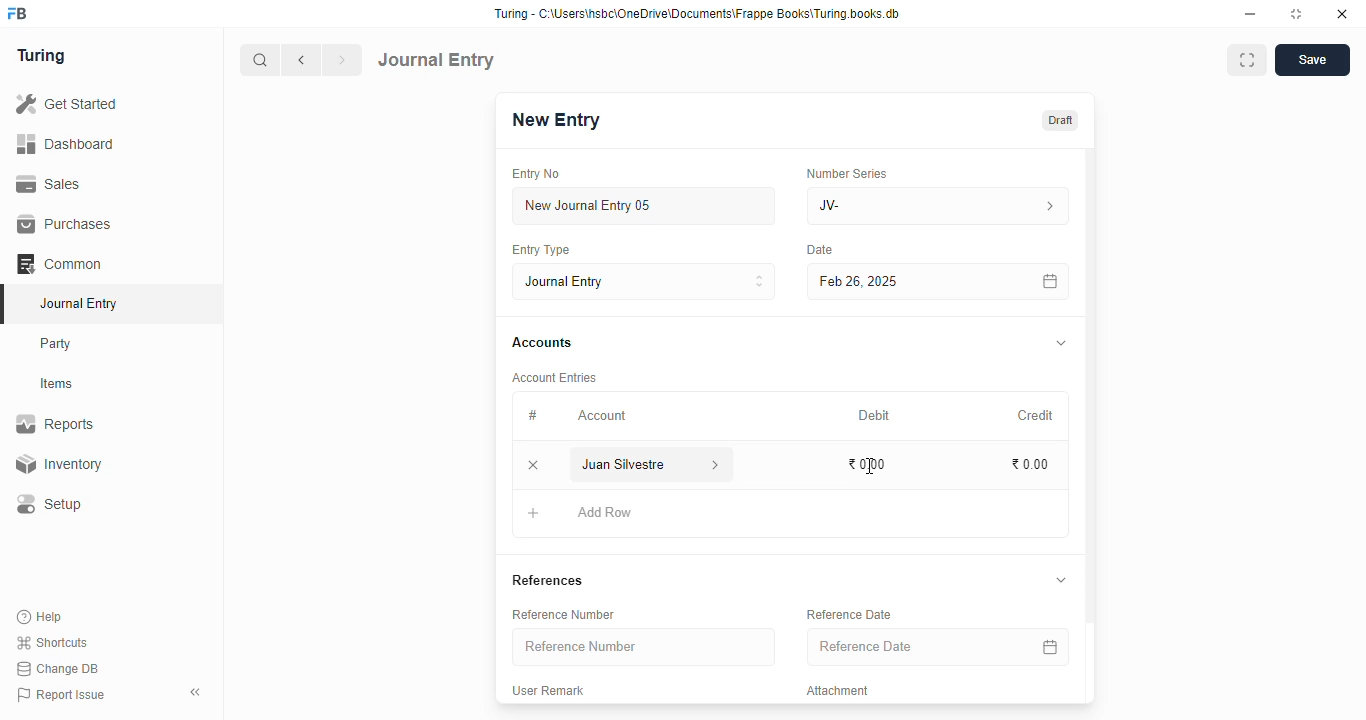 This screenshot has height=720, width=1366. What do you see at coordinates (61, 264) in the screenshot?
I see `common` at bounding box center [61, 264].